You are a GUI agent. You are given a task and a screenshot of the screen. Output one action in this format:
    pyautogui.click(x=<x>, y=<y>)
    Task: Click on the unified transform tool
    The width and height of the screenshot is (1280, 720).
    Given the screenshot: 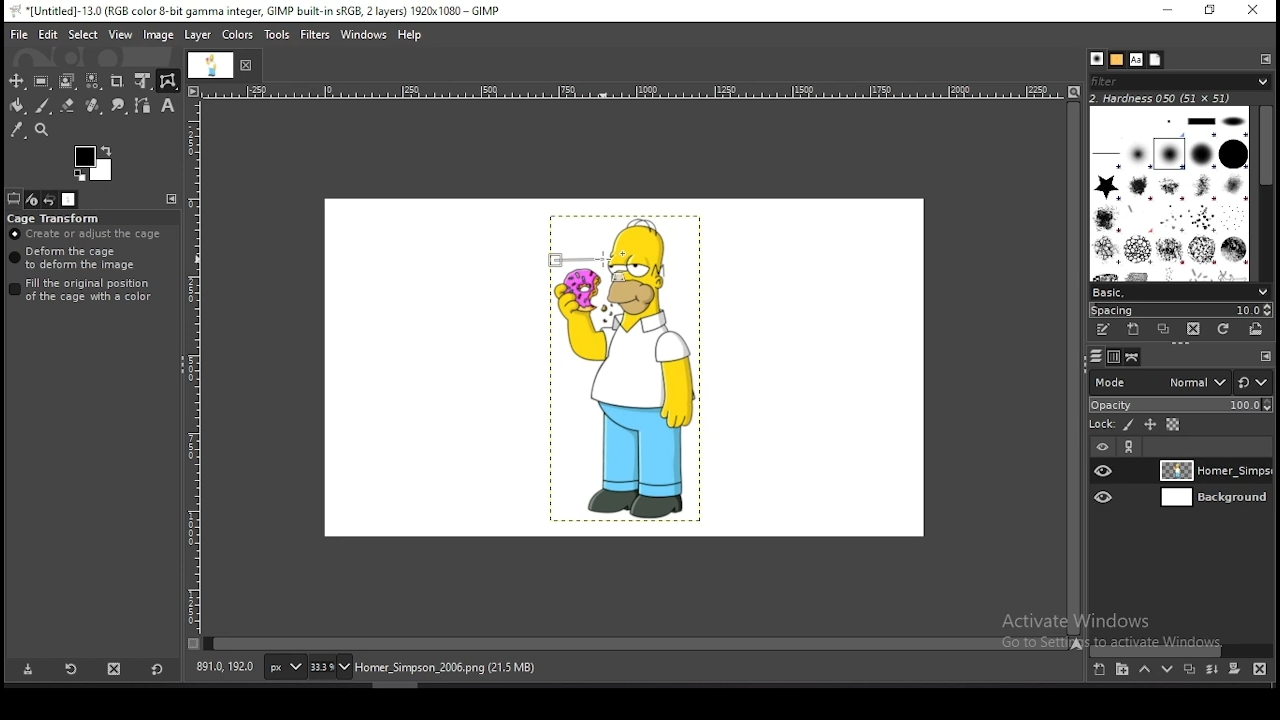 What is the action you would take?
    pyautogui.click(x=143, y=81)
    